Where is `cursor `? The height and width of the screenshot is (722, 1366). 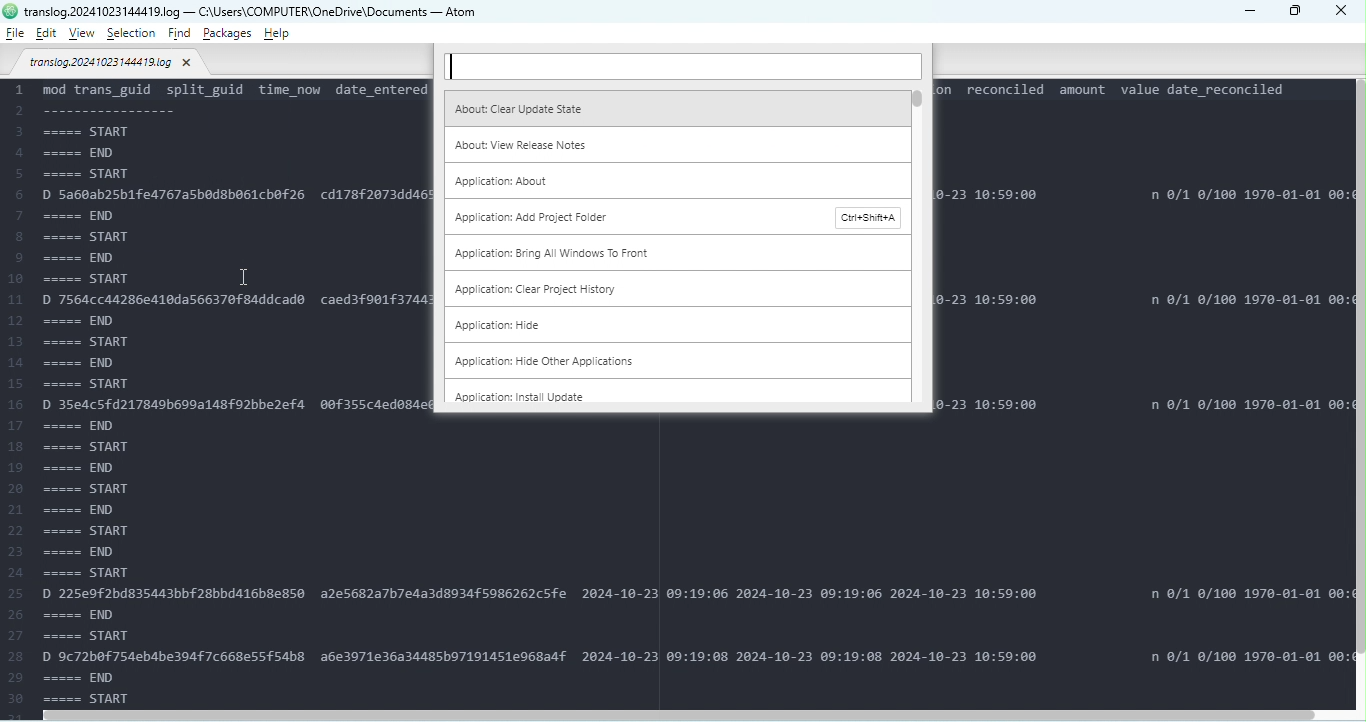
cursor  is located at coordinates (246, 276).